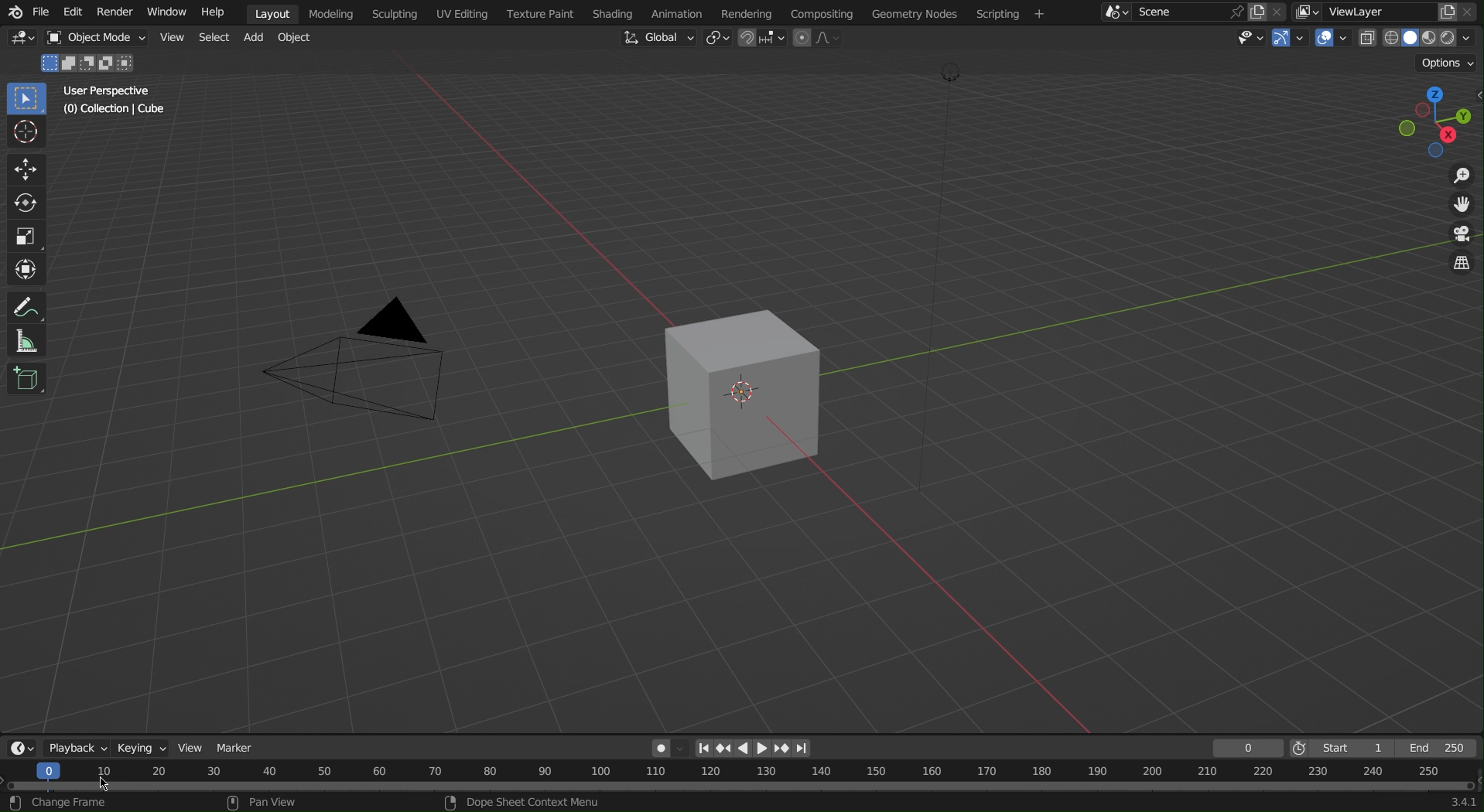 The width and height of the screenshot is (1484, 812). I want to click on Options, so click(1446, 64).